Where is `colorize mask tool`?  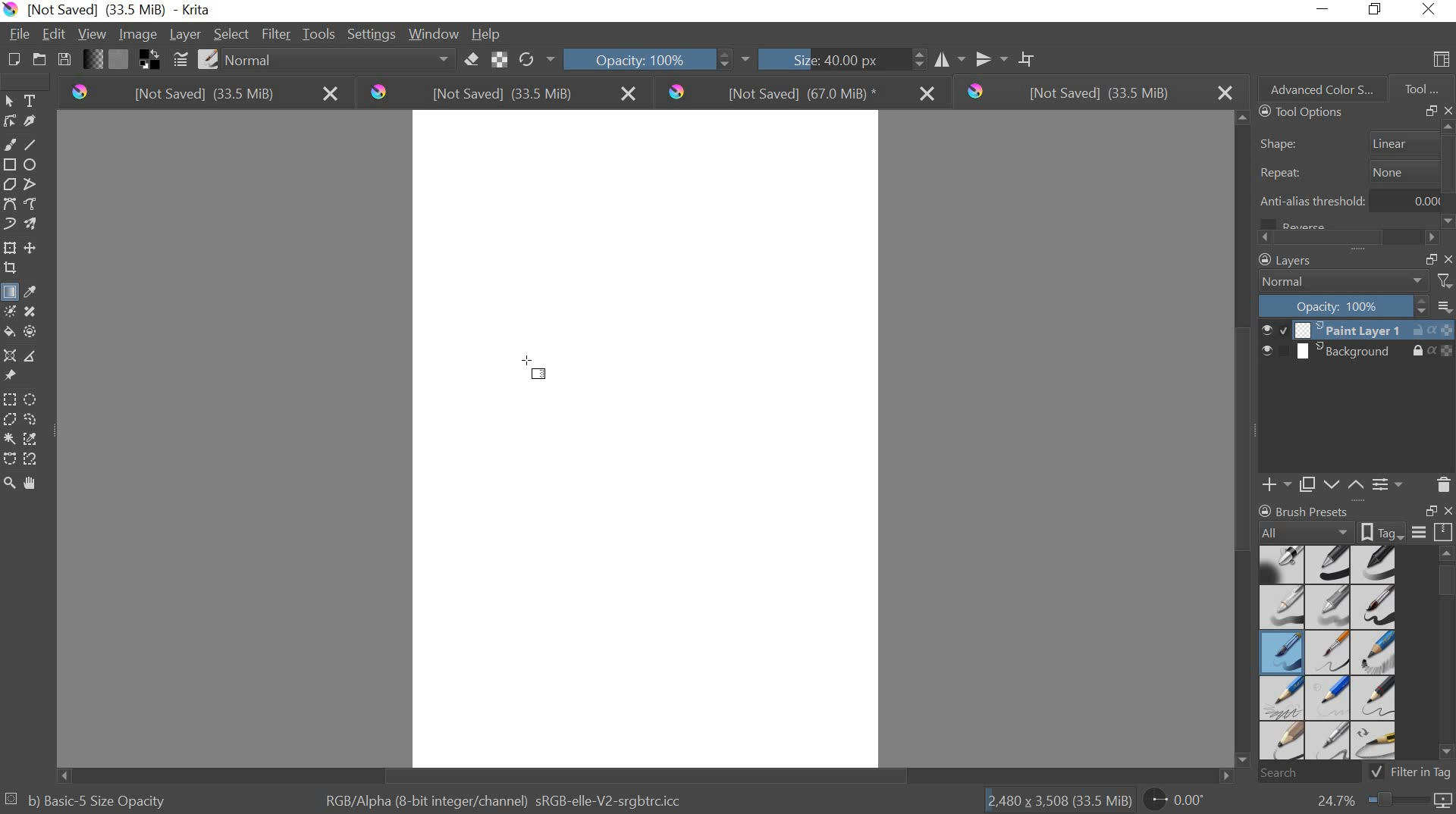 colorize mask tool is located at coordinates (13, 311).